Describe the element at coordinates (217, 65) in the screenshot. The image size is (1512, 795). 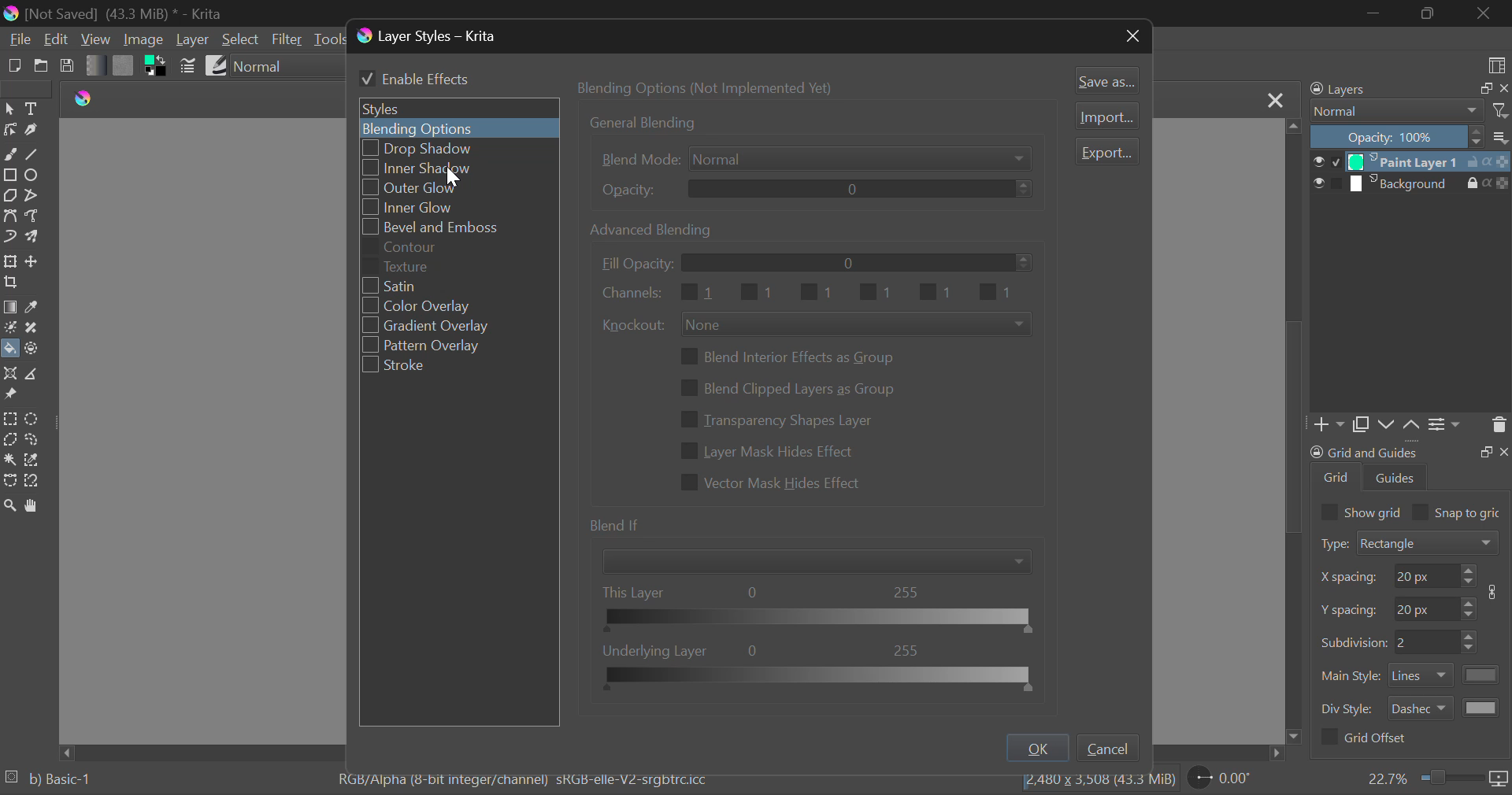
I see `Brush Presets` at that location.